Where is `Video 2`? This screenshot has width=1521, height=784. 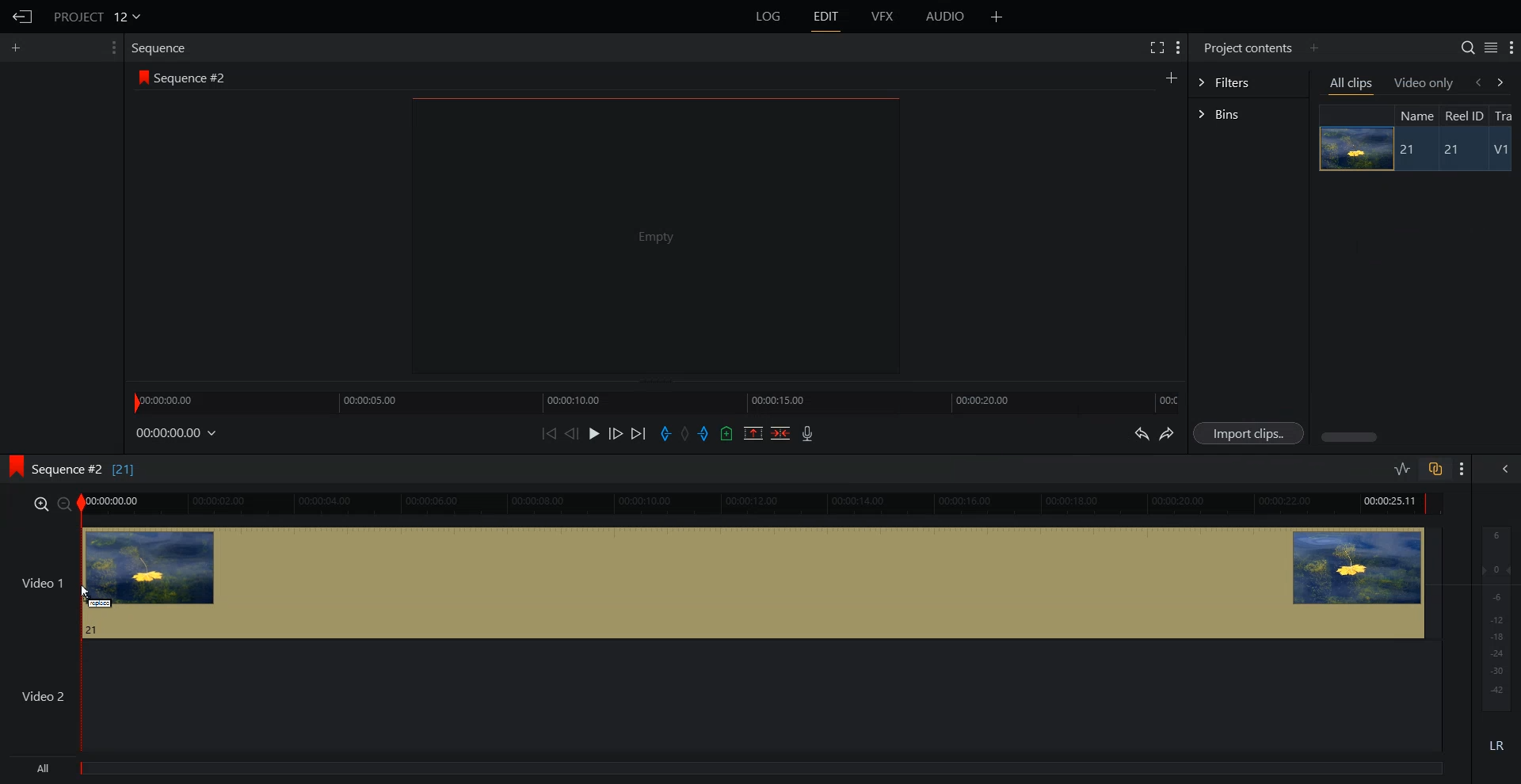
Video 2 is located at coordinates (721, 696).